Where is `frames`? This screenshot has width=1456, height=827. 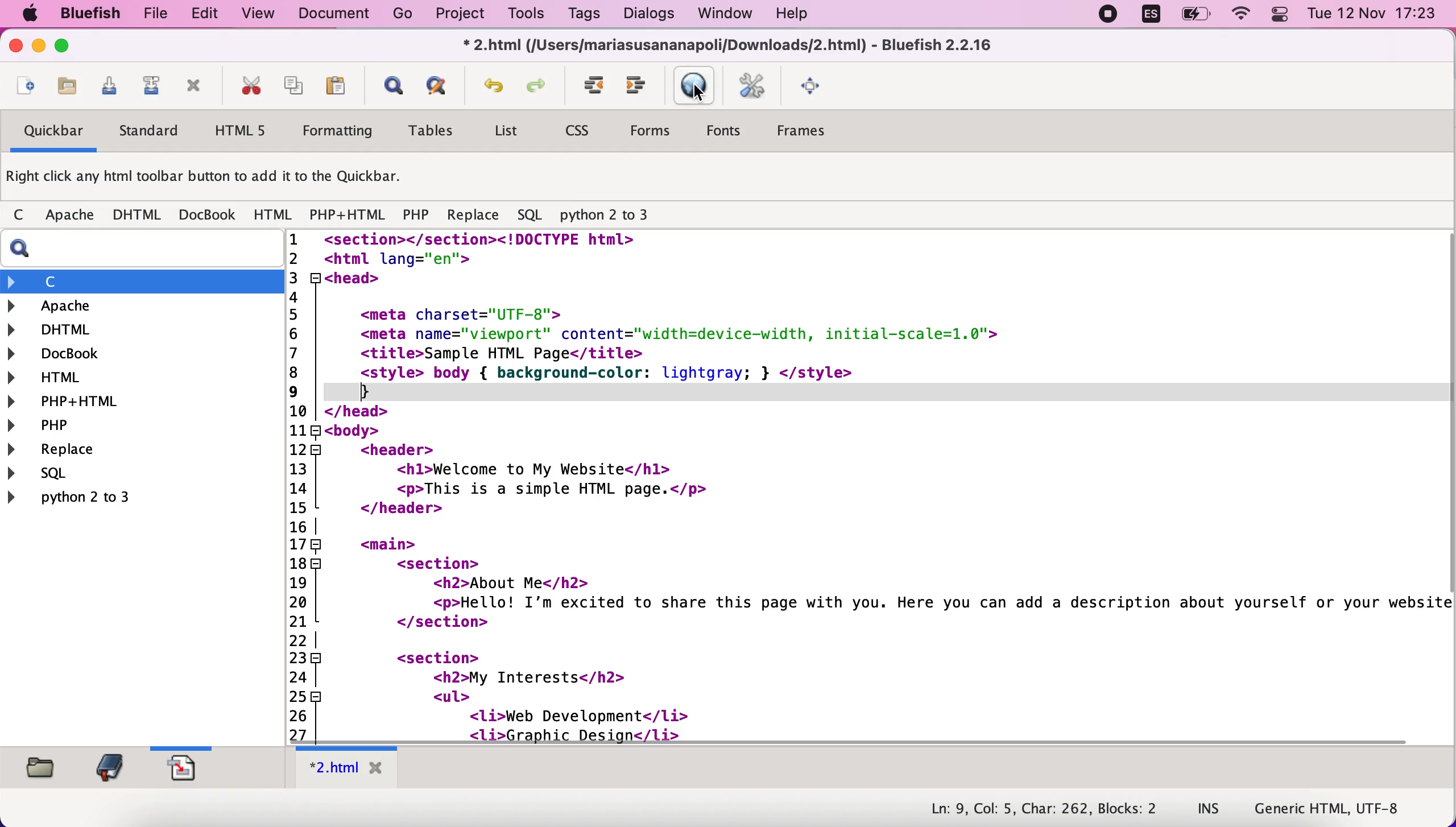 frames is located at coordinates (818, 131).